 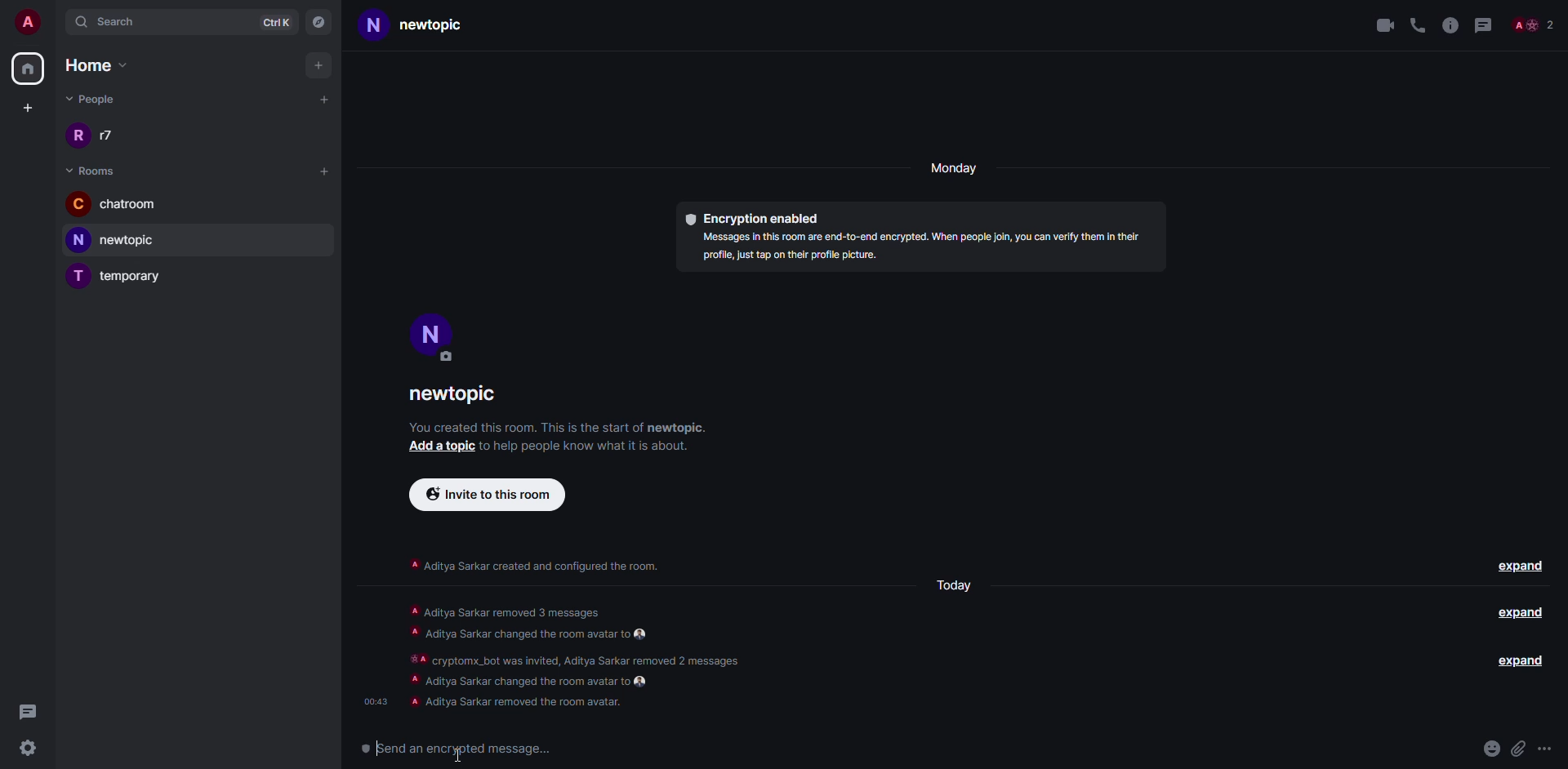 What do you see at coordinates (487, 493) in the screenshot?
I see `invite to this room` at bounding box center [487, 493].